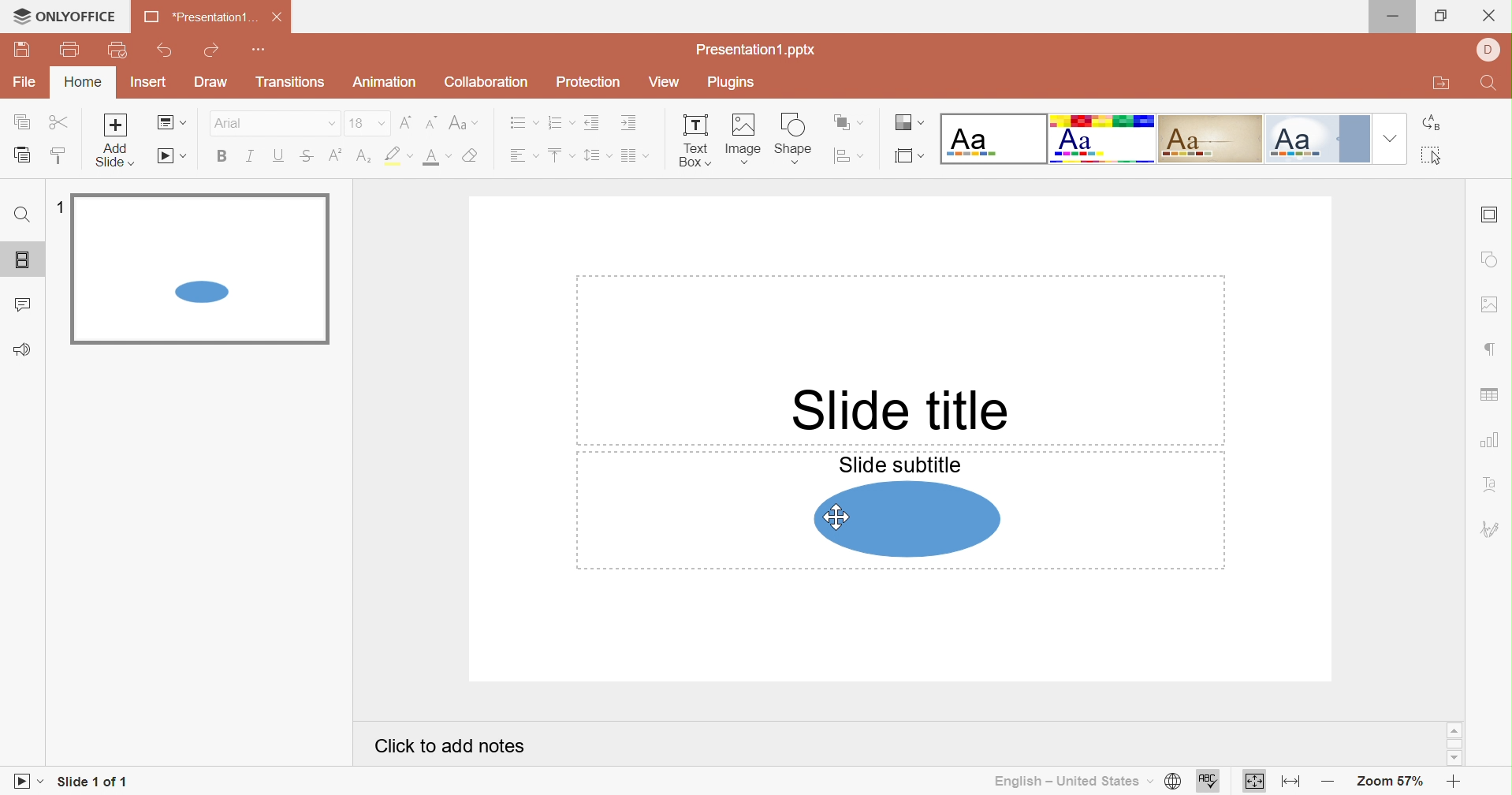  I want to click on Strikethrough, so click(307, 157).